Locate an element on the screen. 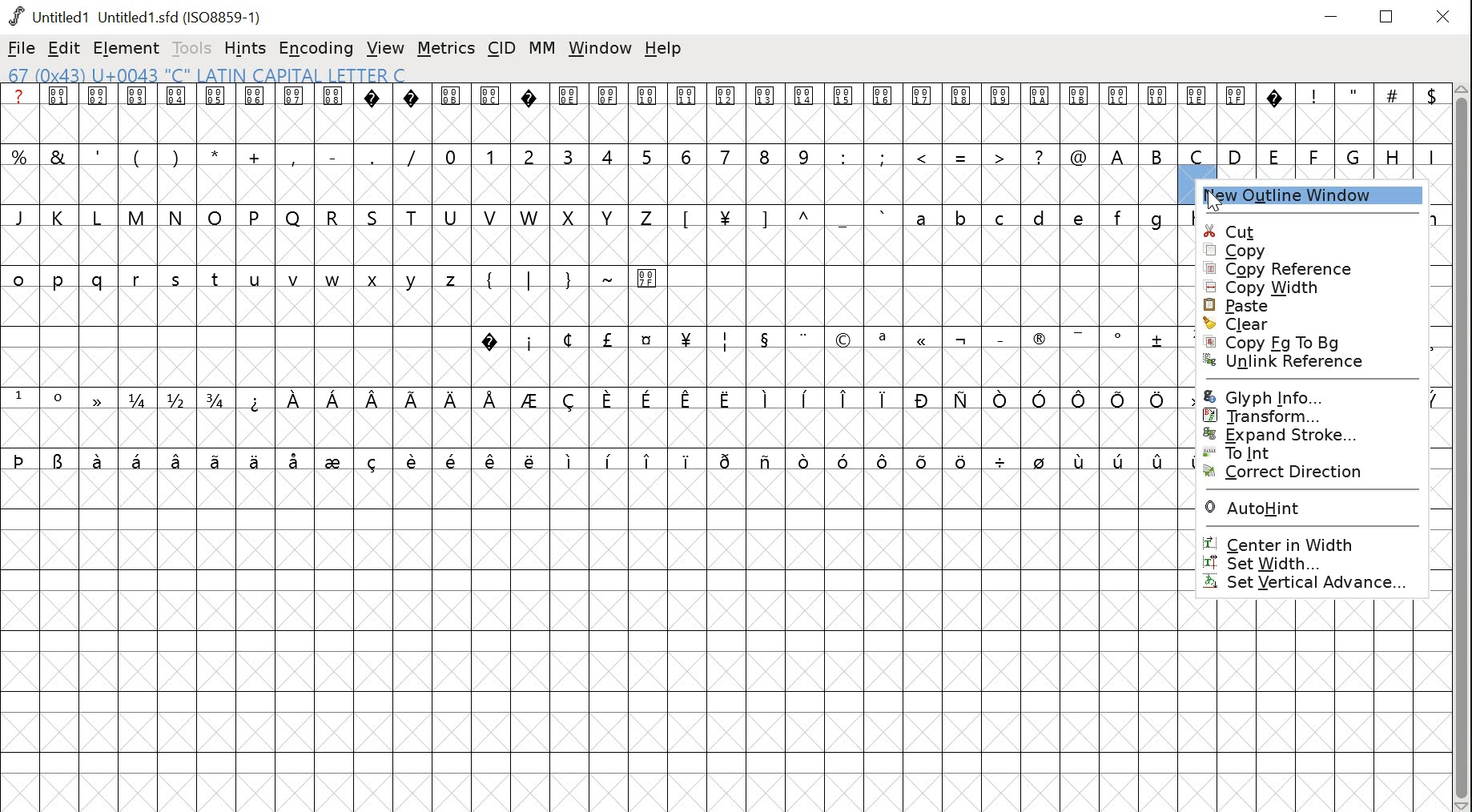 This screenshot has width=1472, height=812. copy is located at coordinates (1318, 252).